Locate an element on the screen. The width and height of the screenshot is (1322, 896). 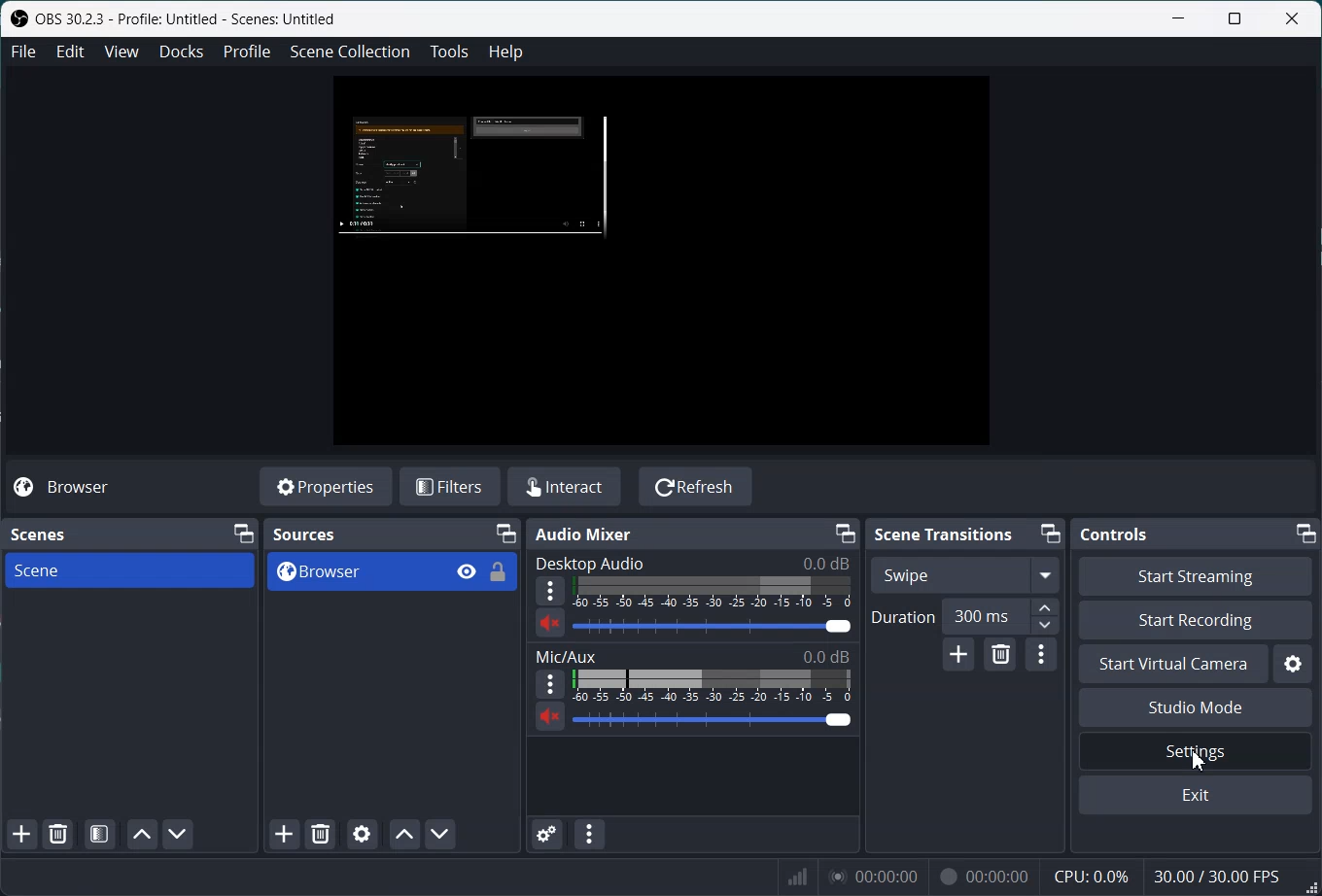
Tools is located at coordinates (447, 52).